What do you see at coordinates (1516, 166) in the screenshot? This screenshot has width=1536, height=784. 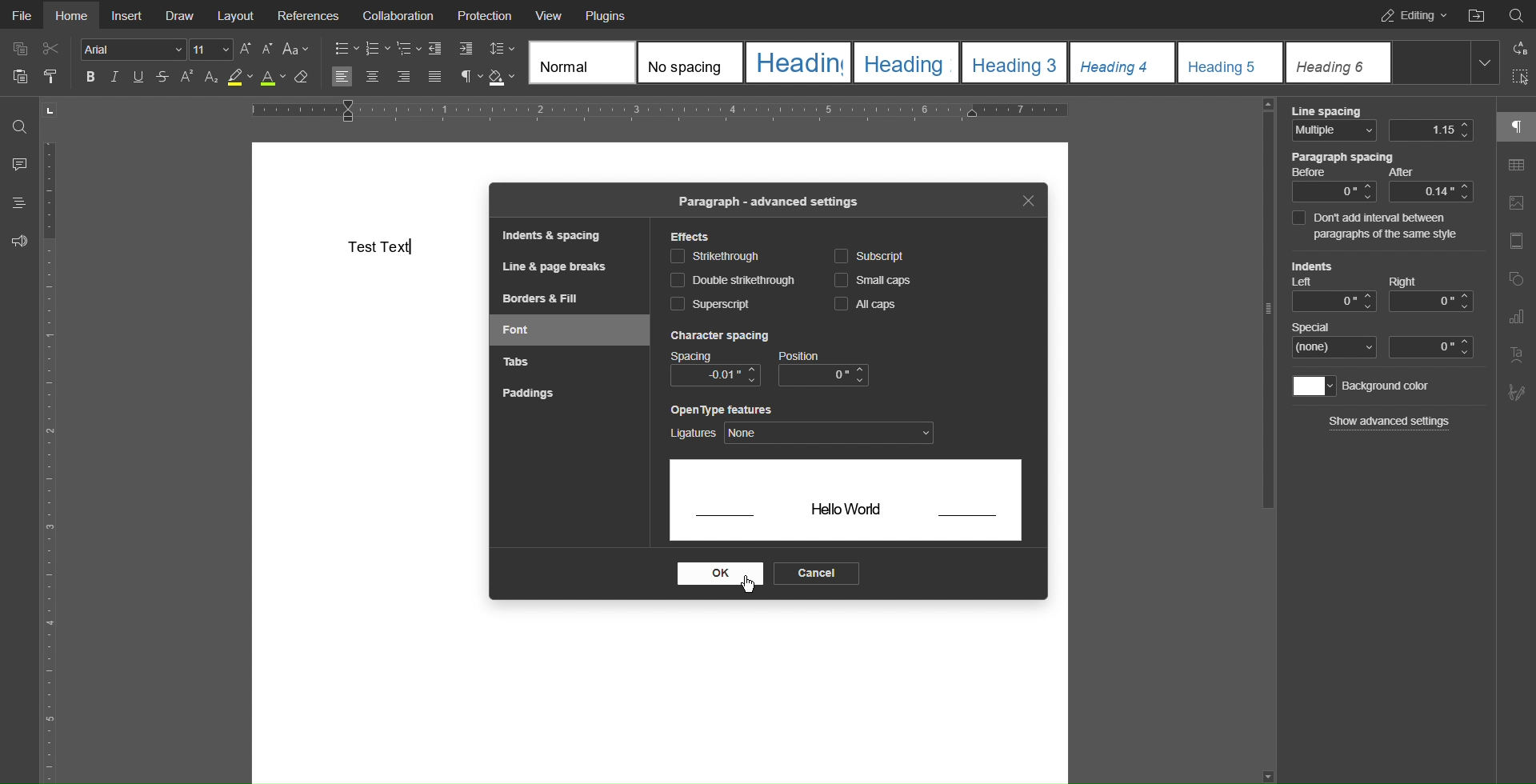 I see `Table Settings` at bounding box center [1516, 166].